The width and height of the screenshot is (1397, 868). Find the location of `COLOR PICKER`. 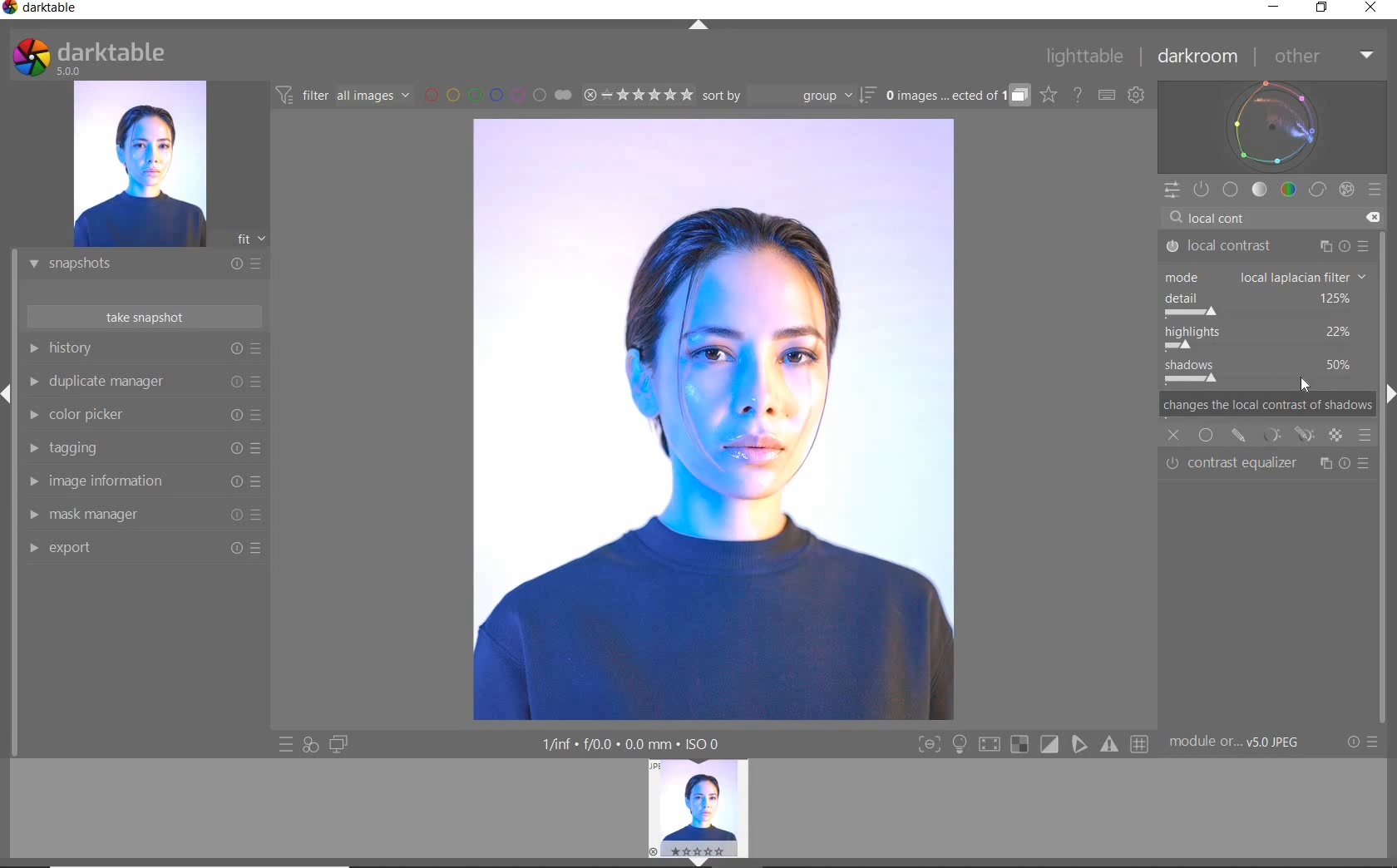

COLOR PICKER is located at coordinates (141, 416).